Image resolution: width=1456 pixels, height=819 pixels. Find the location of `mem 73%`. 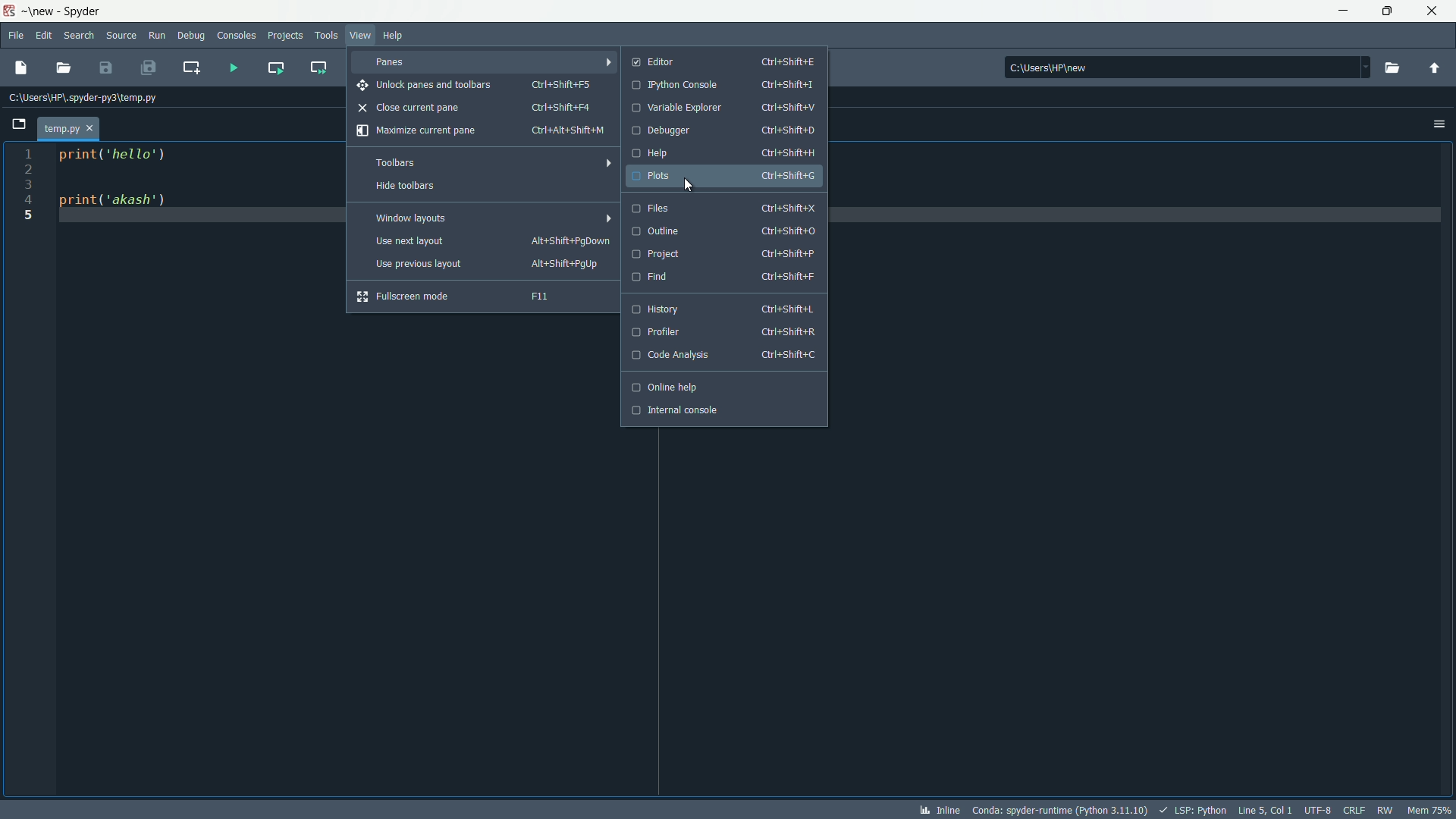

mem 73% is located at coordinates (1429, 810).